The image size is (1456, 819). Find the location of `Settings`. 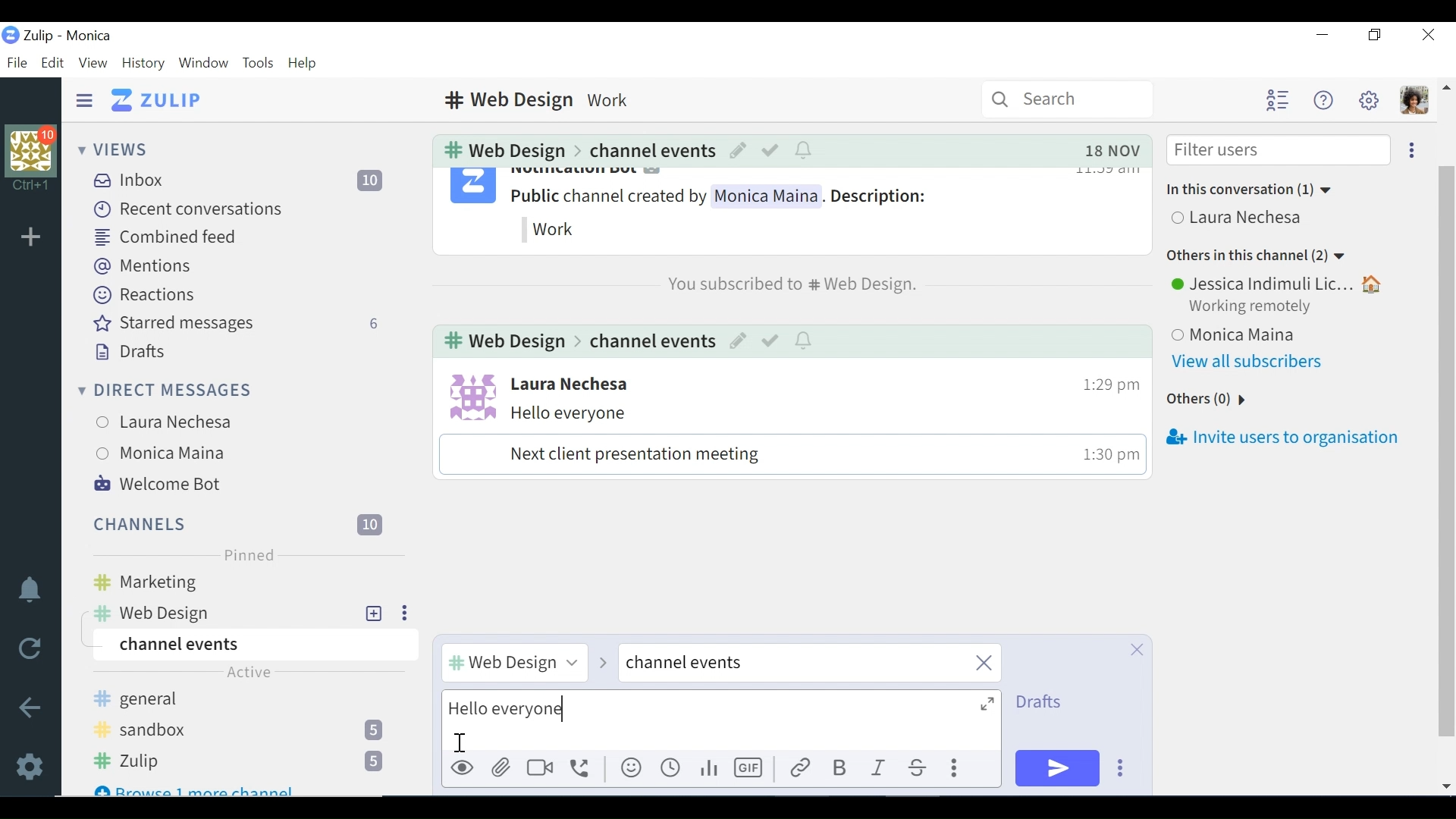

Settings is located at coordinates (33, 764).